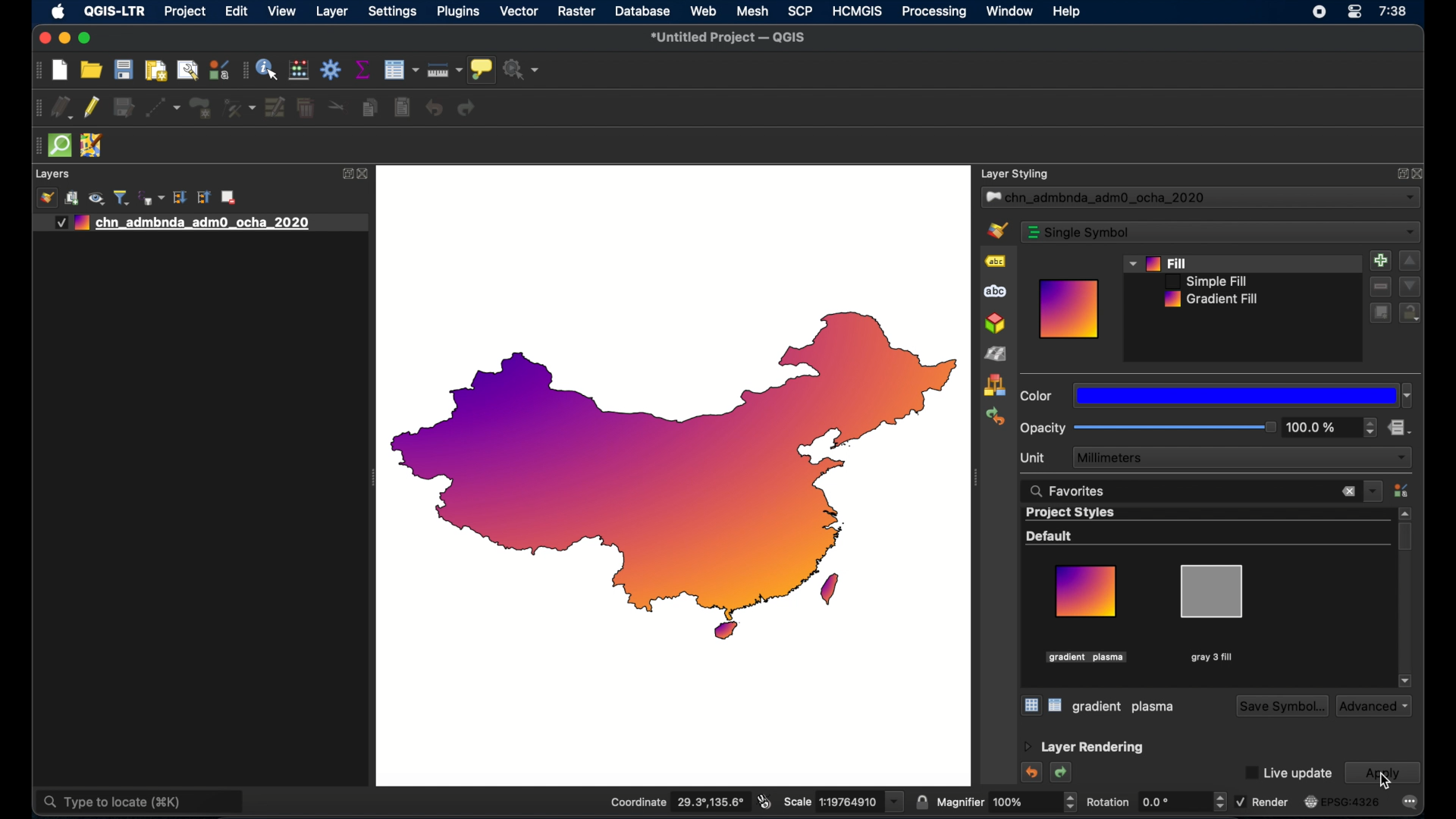 Image resolution: width=1456 pixels, height=819 pixels. I want to click on advanced , so click(1374, 706).